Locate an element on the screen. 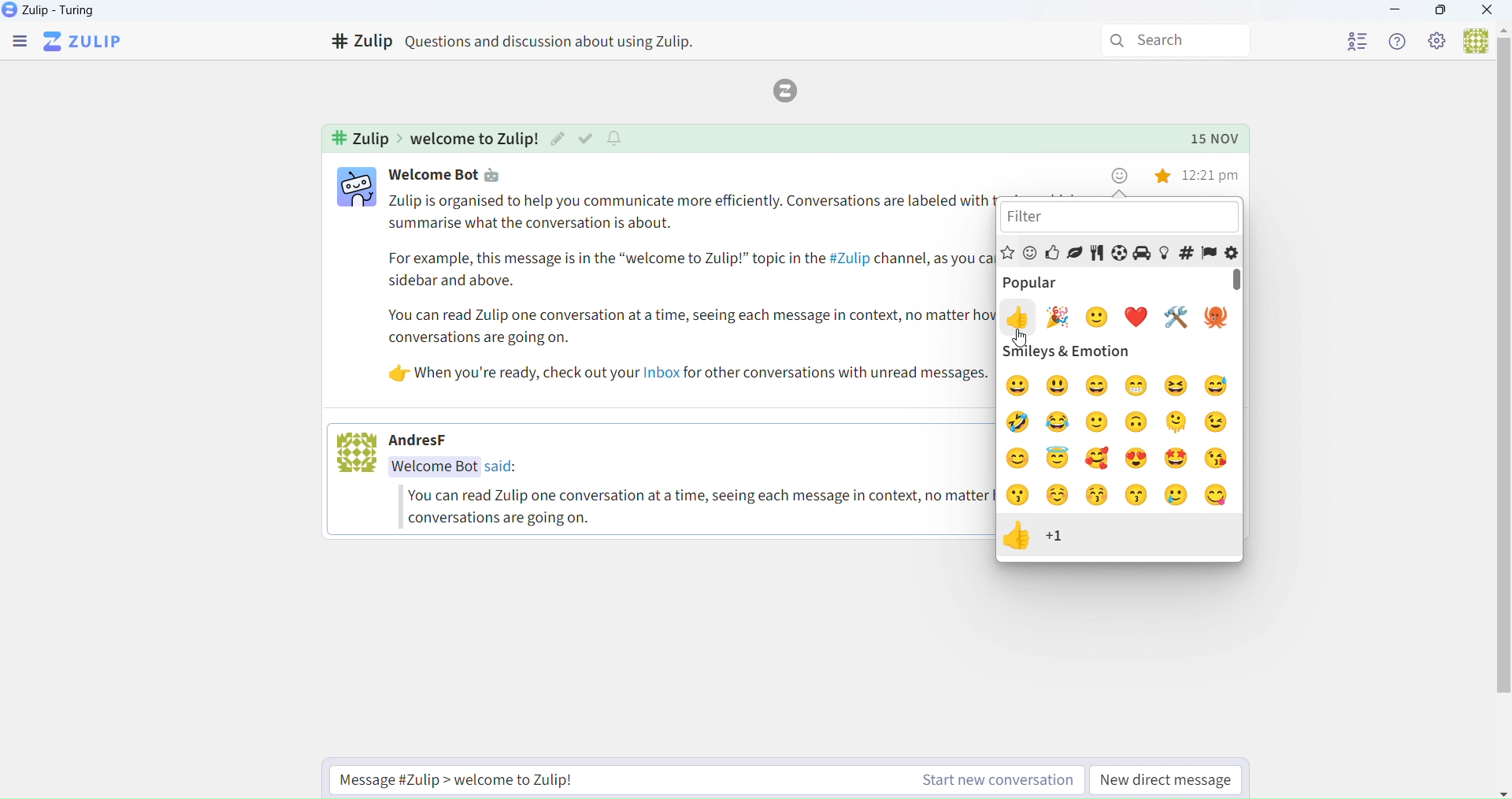 Image resolution: width=1512 pixels, height=799 pixels. melting face is located at coordinates (1177, 422).